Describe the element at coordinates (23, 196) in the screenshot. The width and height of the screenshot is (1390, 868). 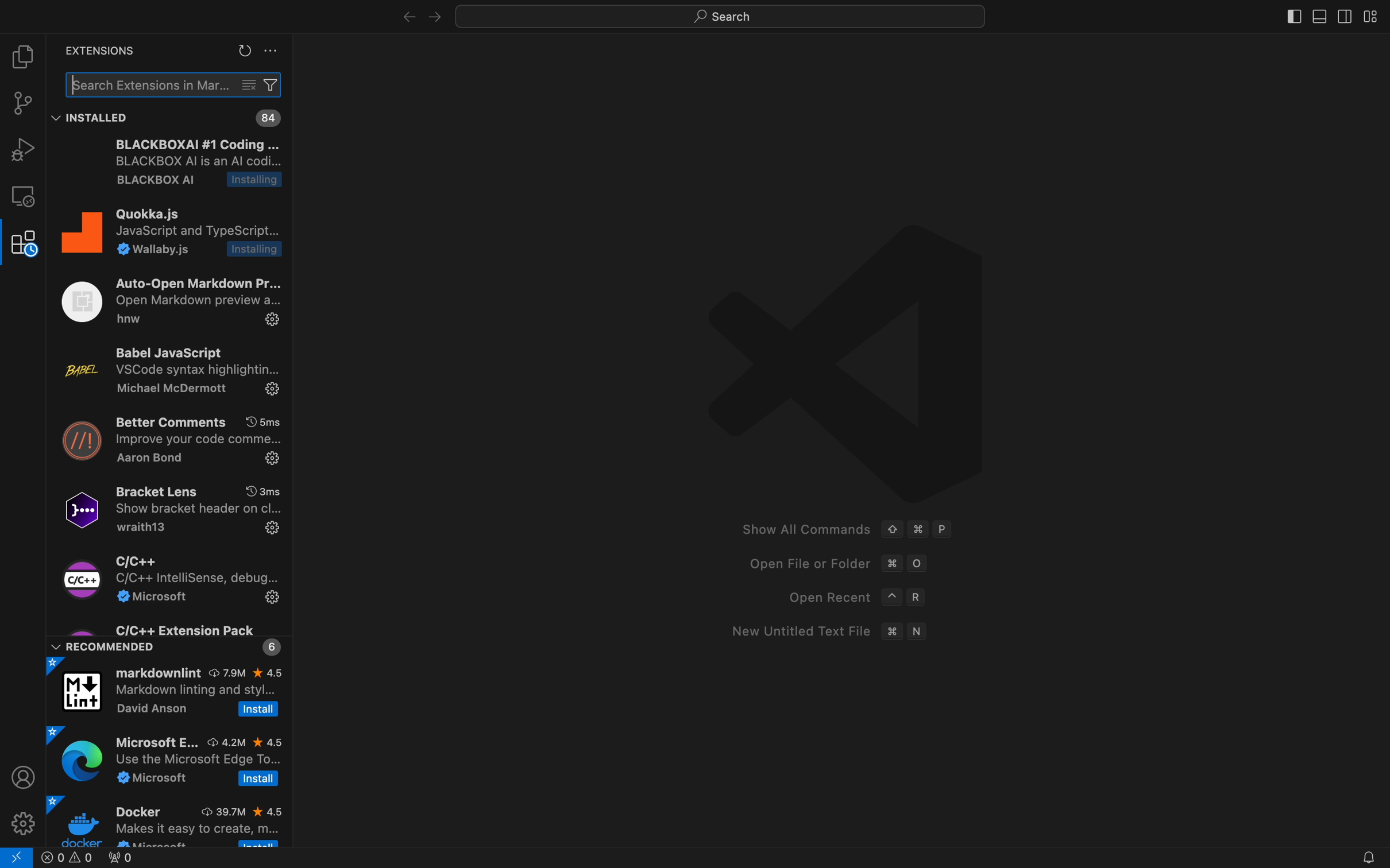
I see `remote explore` at that location.